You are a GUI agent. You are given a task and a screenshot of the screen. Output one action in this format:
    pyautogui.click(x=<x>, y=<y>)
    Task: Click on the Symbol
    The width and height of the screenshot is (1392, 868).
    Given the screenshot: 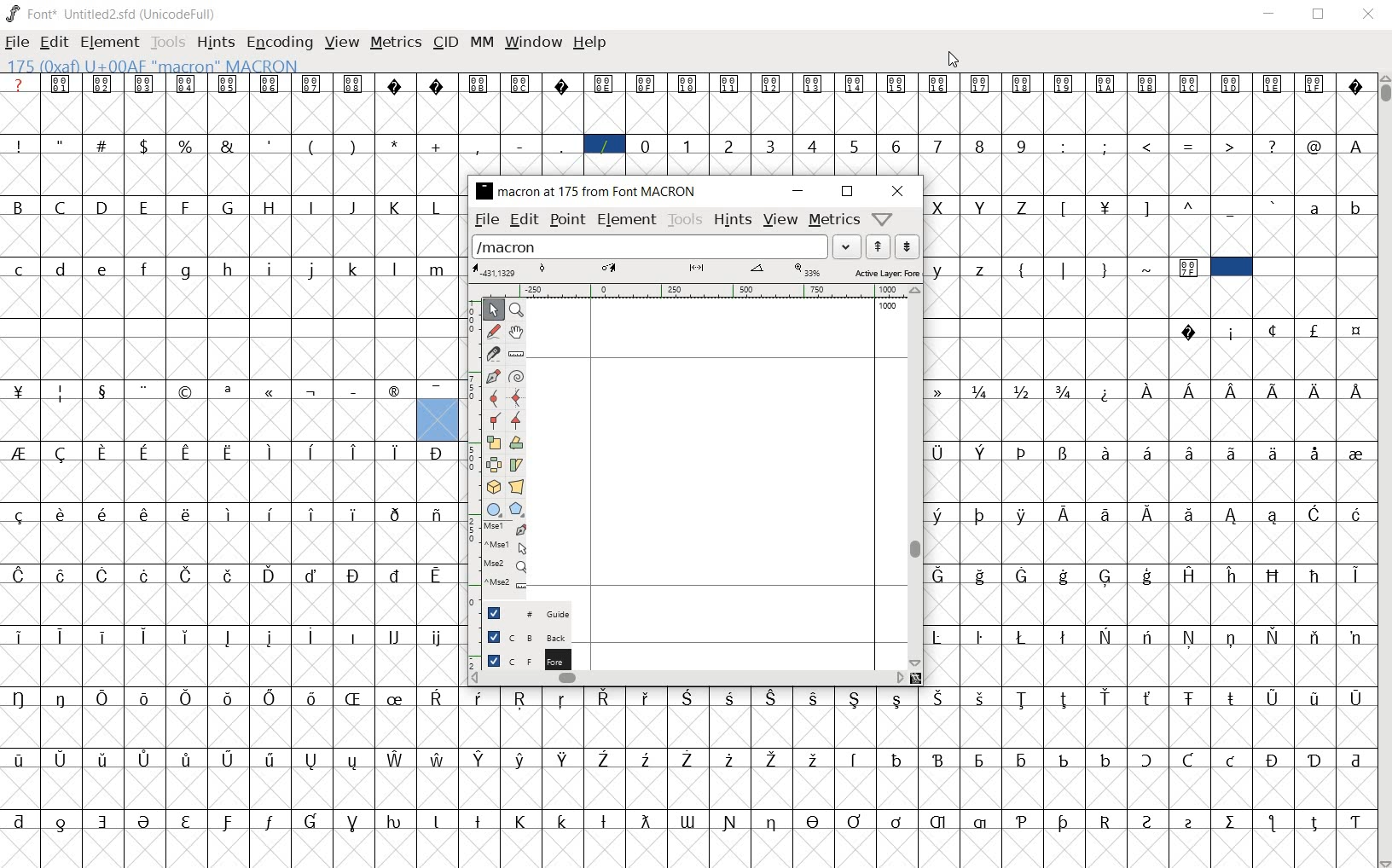 What is the action you would take?
    pyautogui.click(x=1314, y=512)
    